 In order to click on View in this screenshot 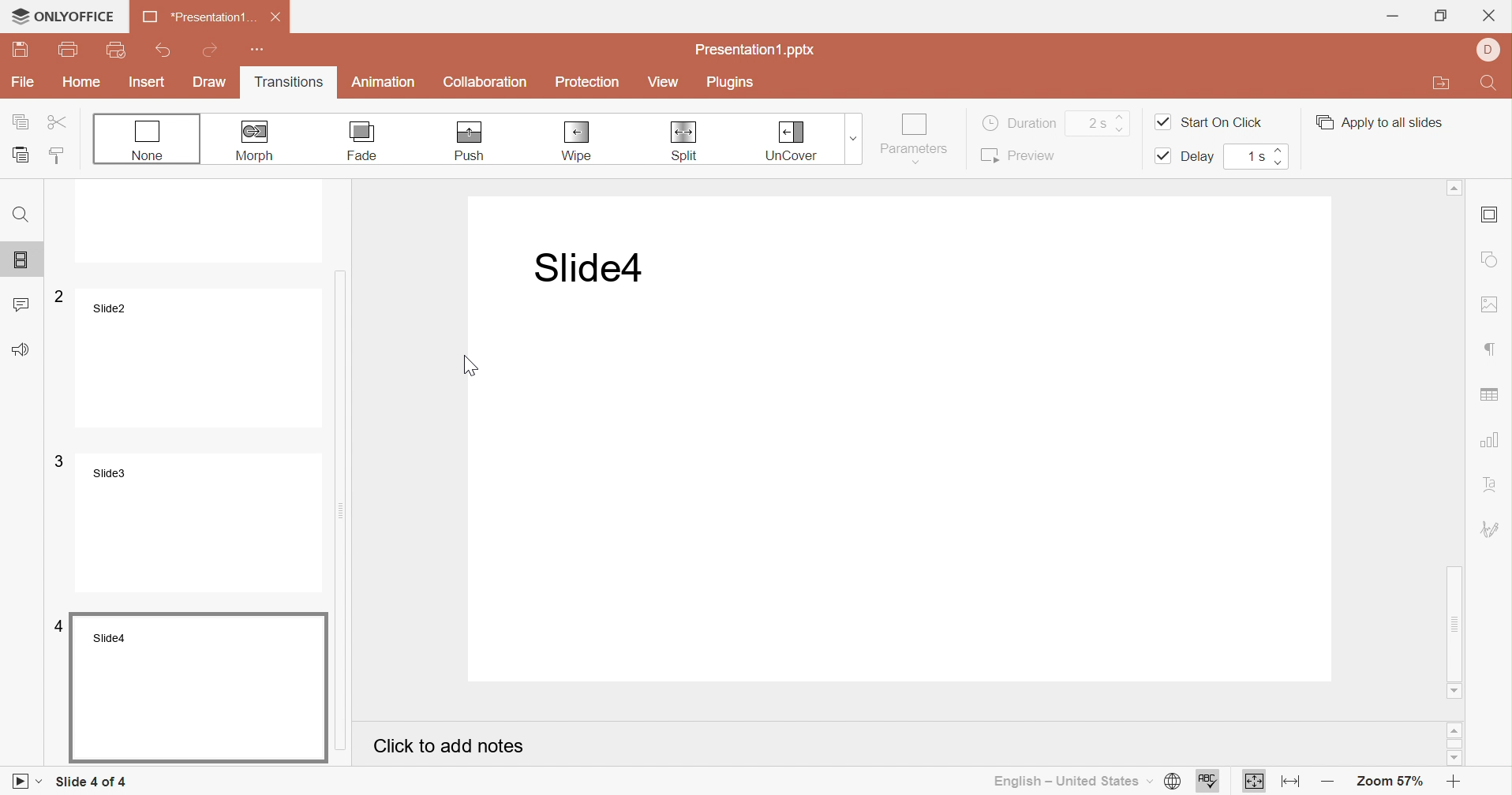, I will do `click(663, 84)`.